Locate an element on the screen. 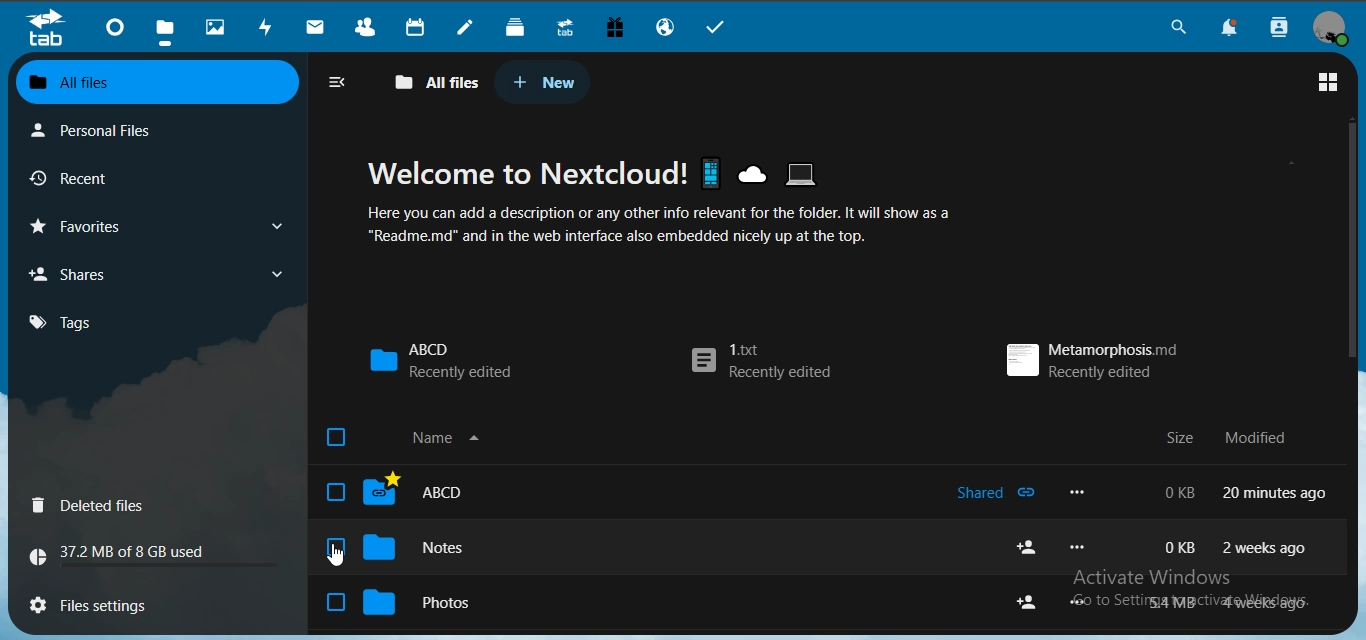  Modified is located at coordinates (1259, 434).